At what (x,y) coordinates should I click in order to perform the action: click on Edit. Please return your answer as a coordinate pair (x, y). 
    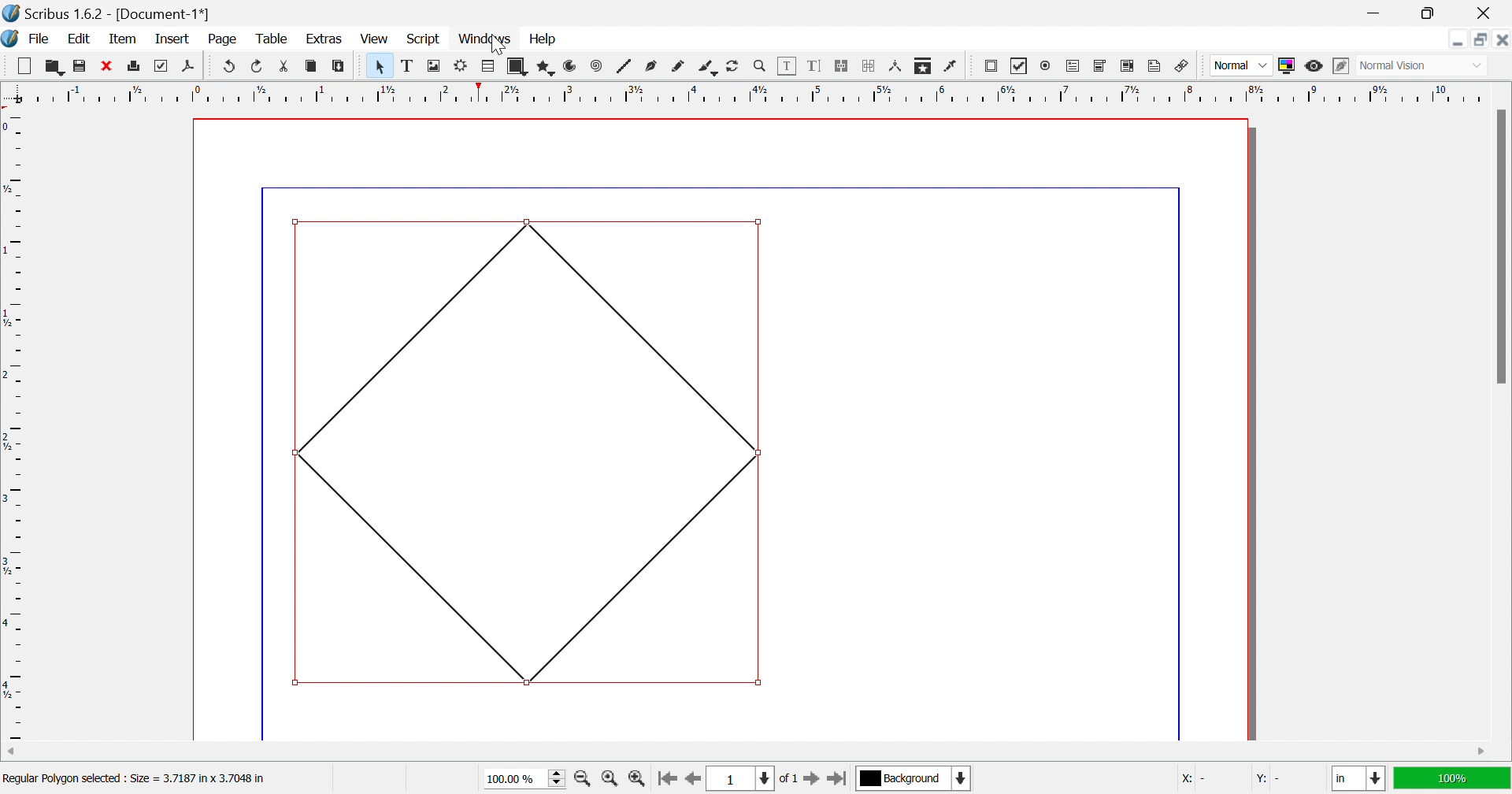
    Looking at the image, I should click on (83, 40).